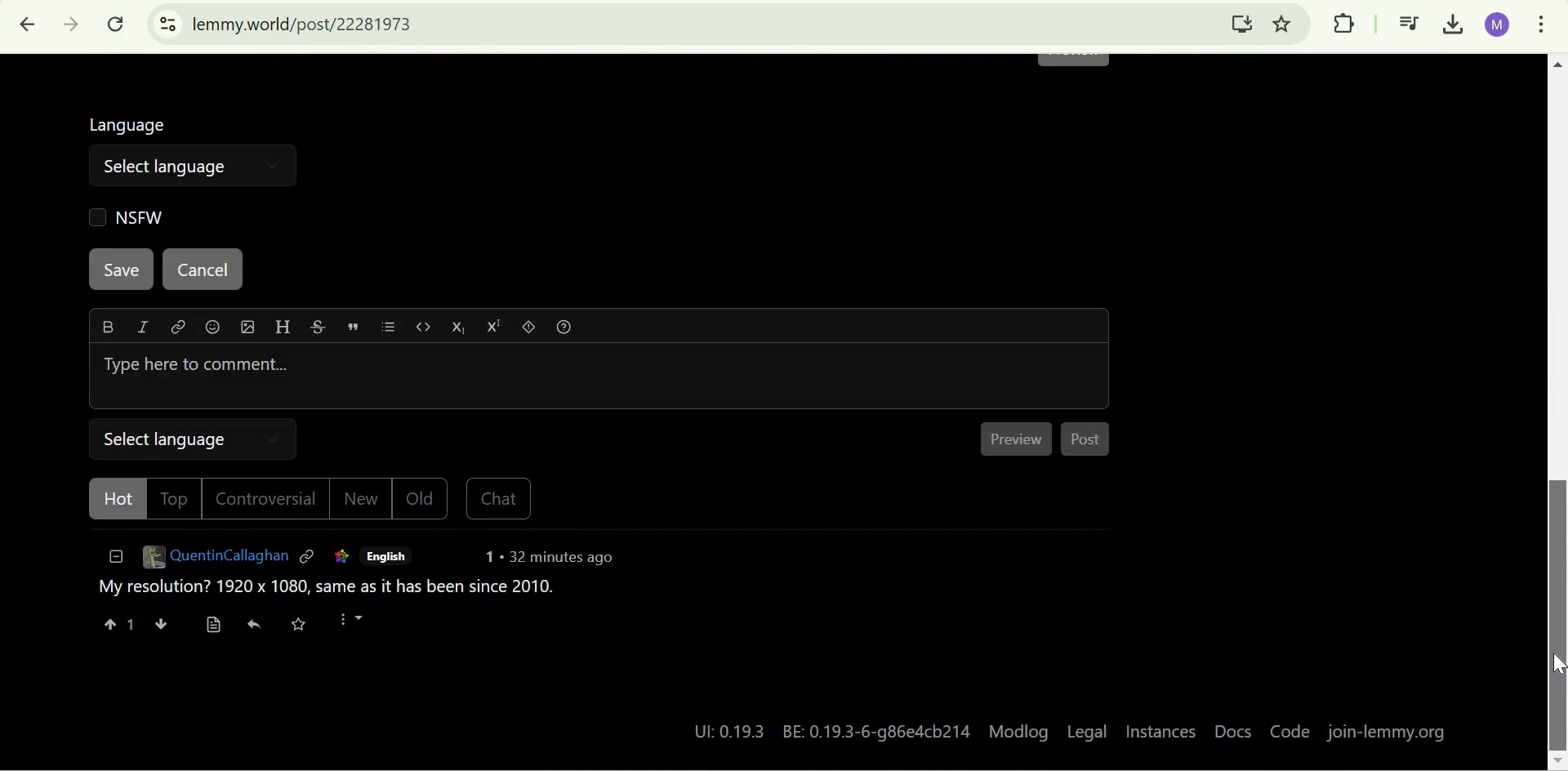  What do you see at coordinates (1243, 23) in the screenshot?
I see `Install Lemmy.World` at bounding box center [1243, 23].